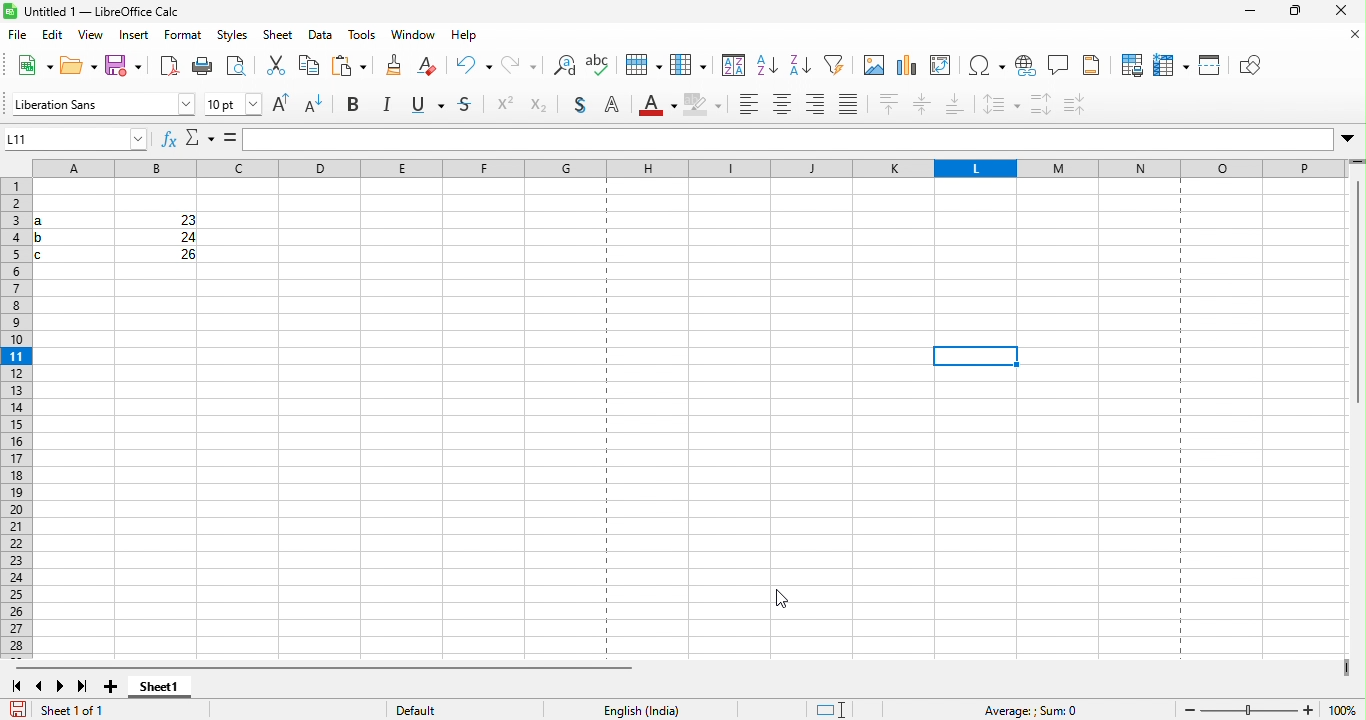 This screenshot has width=1366, height=720. Describe the element at coordinates (317, 106) in the screenshot. I see `decrease font size` at that location.